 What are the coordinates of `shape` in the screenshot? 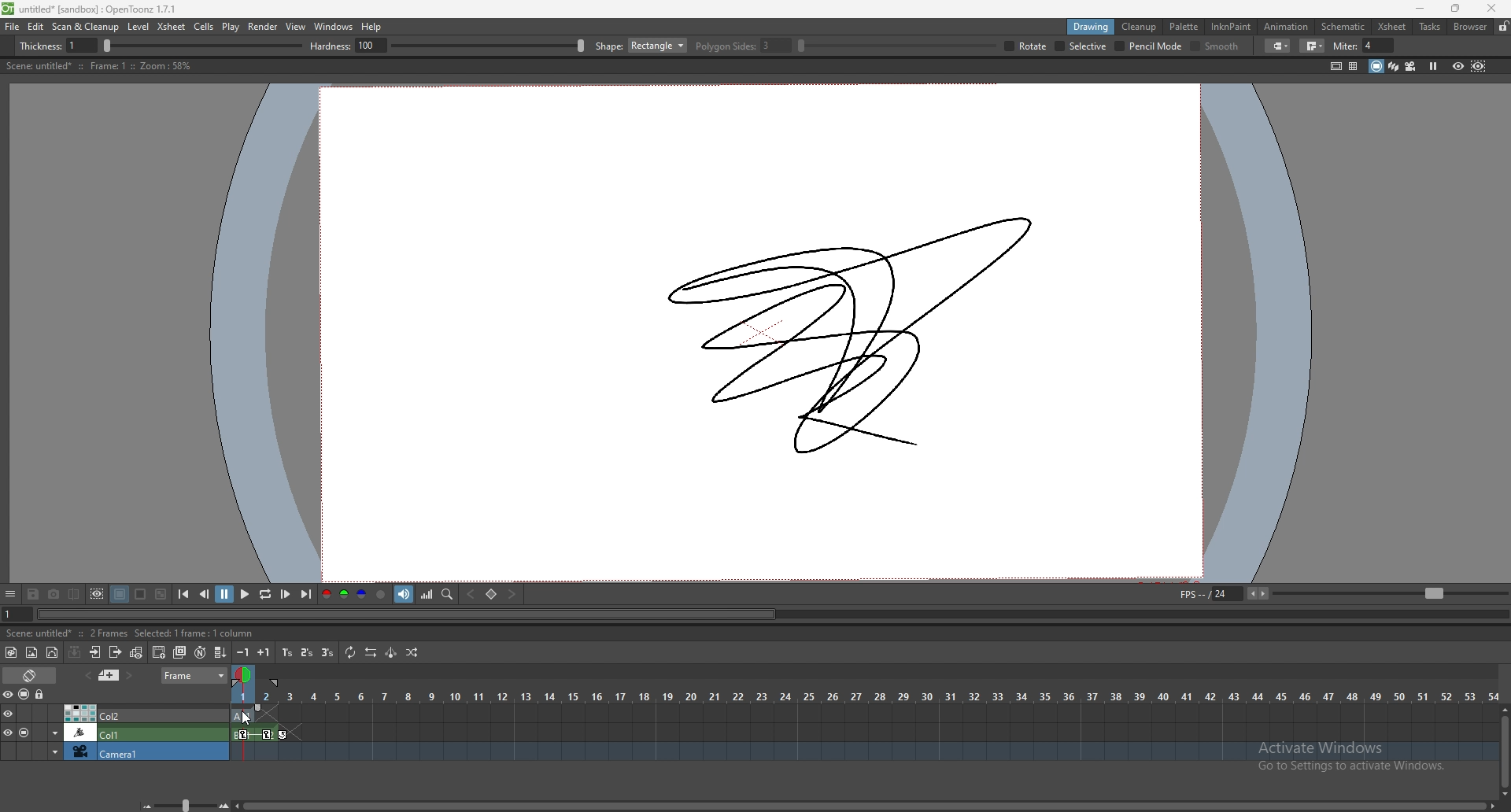 It's located at (641, 46).